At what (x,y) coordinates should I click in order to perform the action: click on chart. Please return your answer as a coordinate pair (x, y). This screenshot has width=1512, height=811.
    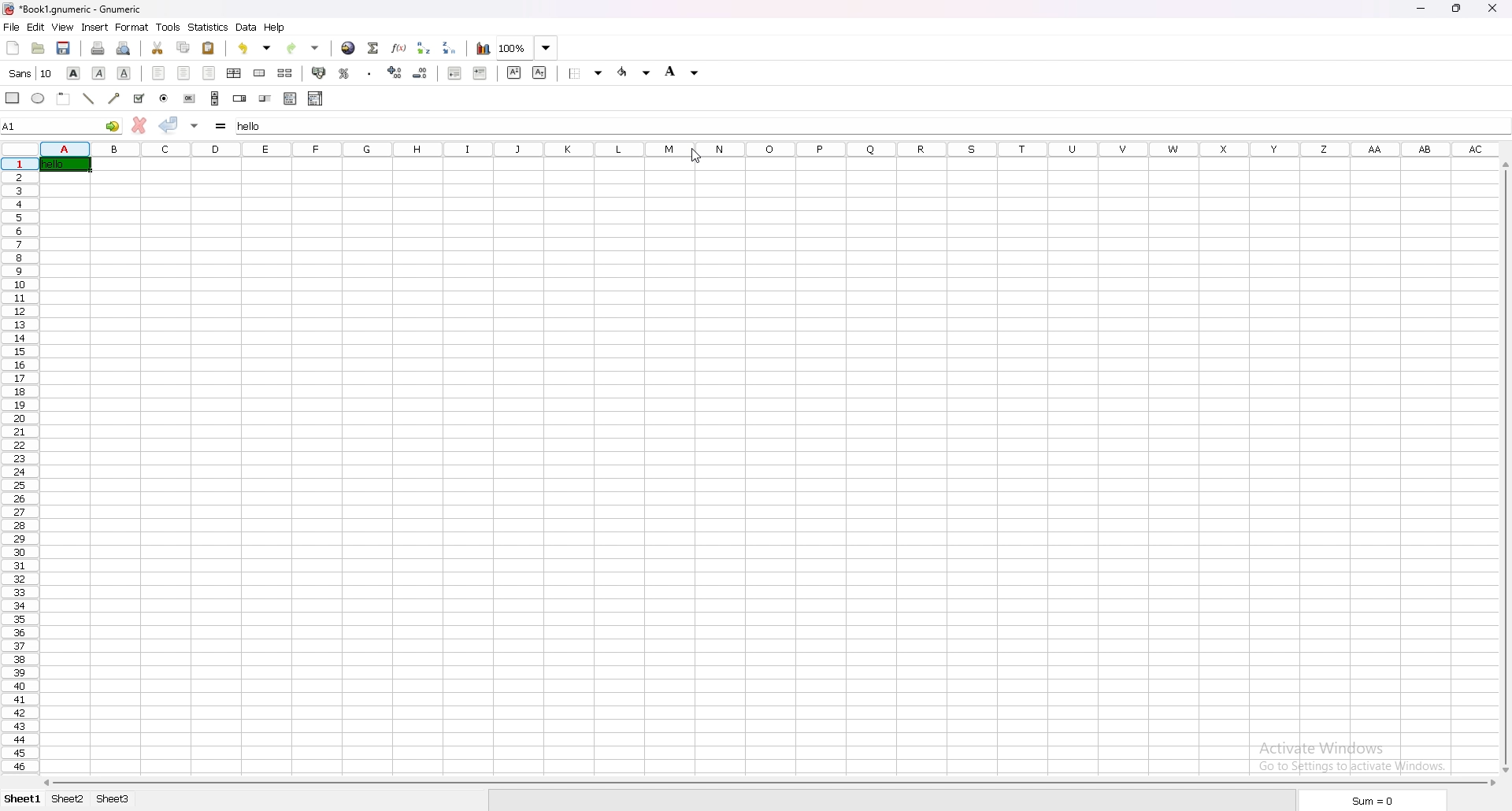
    Looking at the image, I should click on (482, 48).